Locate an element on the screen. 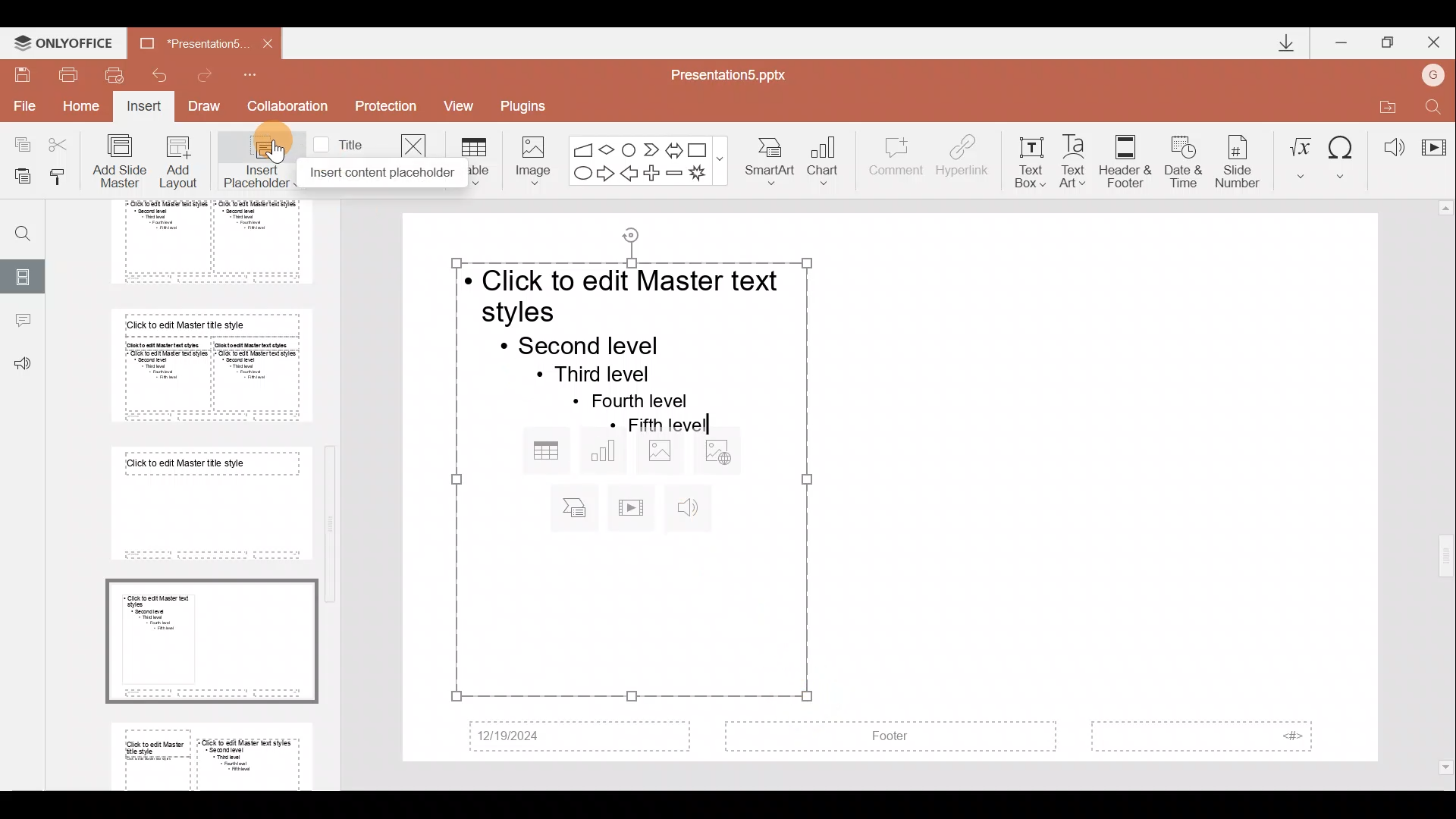  Right arrow is located at coordinates (605, 174).